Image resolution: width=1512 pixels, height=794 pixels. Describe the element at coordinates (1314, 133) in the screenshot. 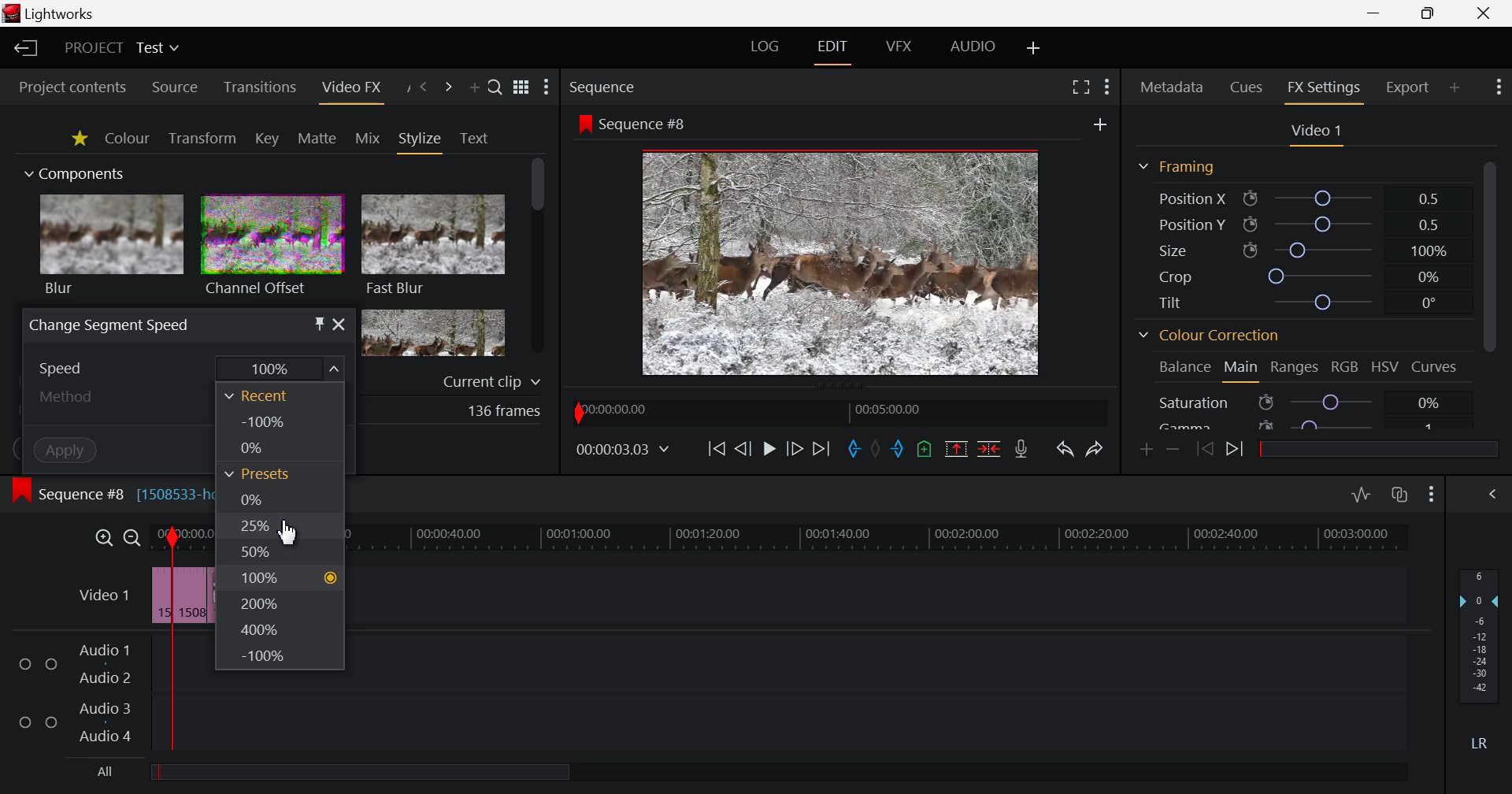

I see `Video Settings` at that location.